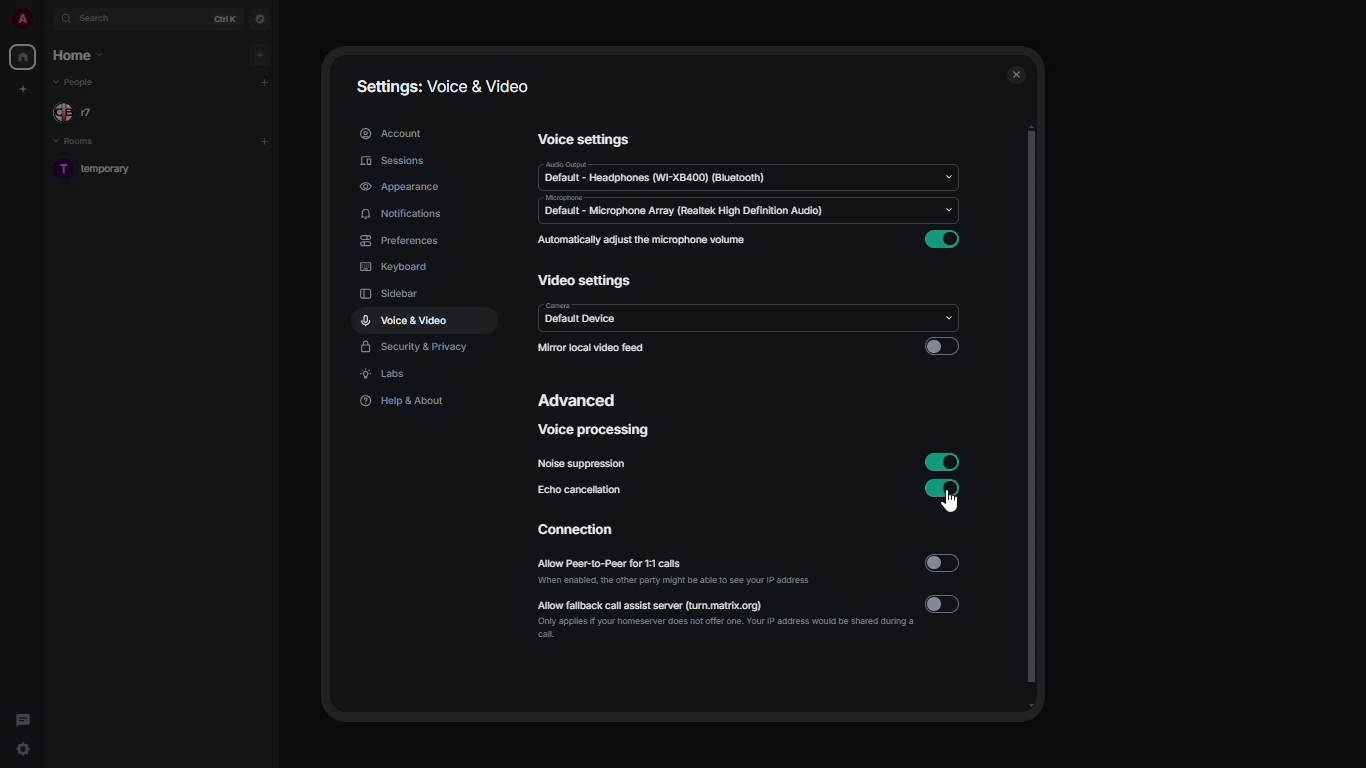 Image resolution: width=1366 pixels, height=768 pixels. Describe the element at coordinates (728, 618) in the screenshot. I see `allow fallback call assist server` at that location.